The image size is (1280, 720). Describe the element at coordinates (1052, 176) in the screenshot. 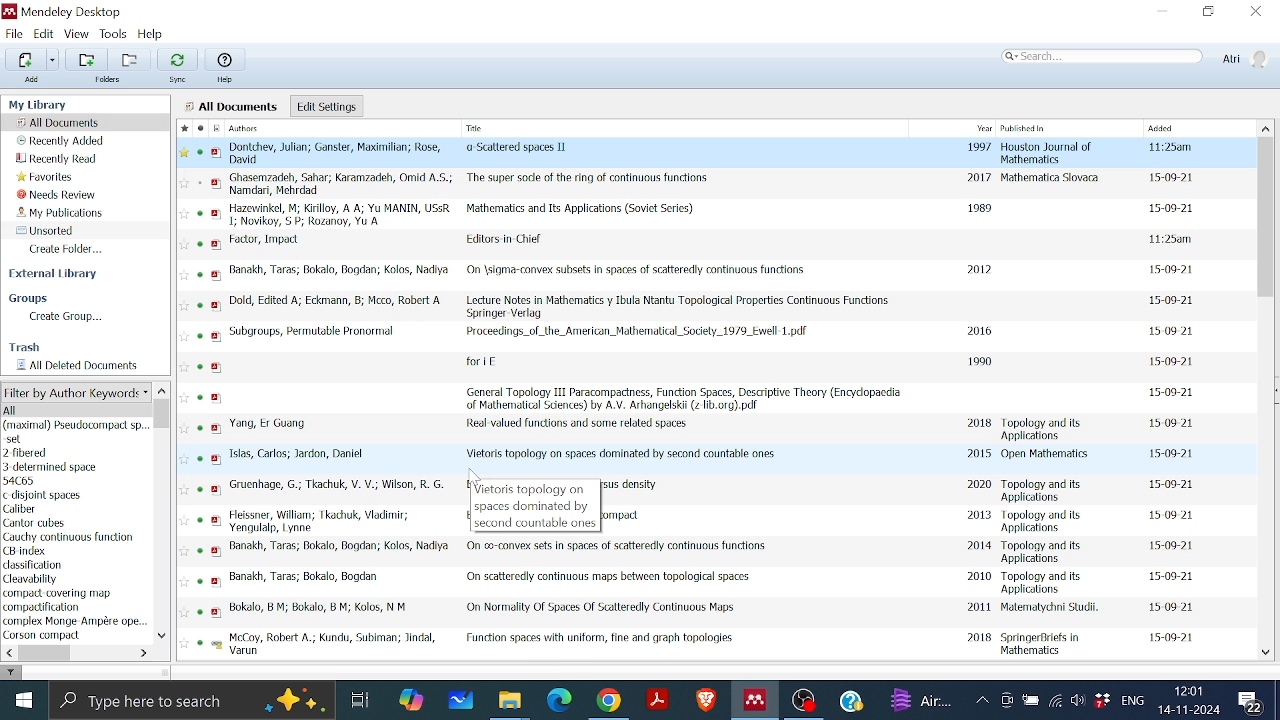

I see `Published in` at that location.